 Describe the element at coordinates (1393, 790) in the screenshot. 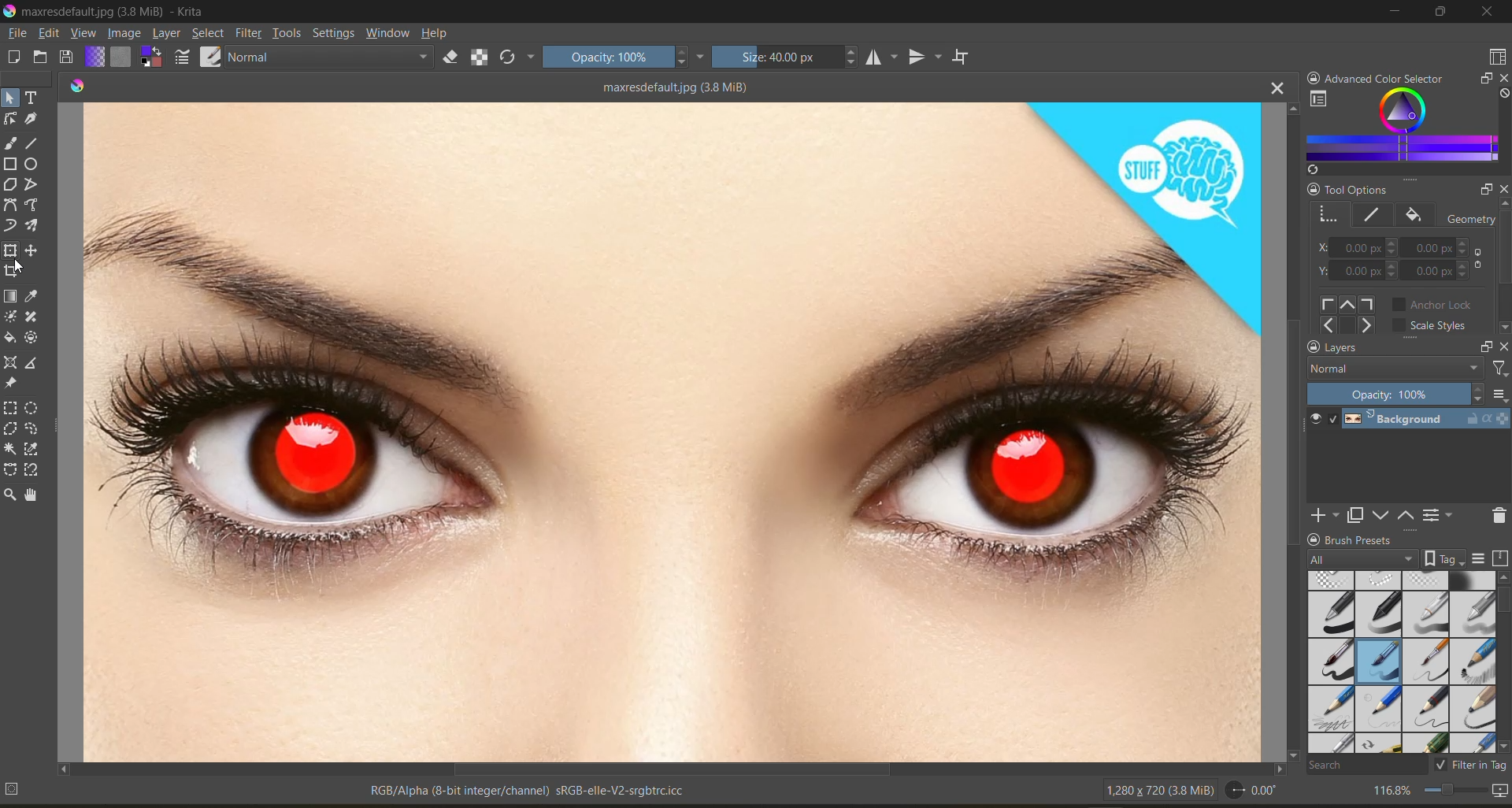

I see `zoom factor` at that location.